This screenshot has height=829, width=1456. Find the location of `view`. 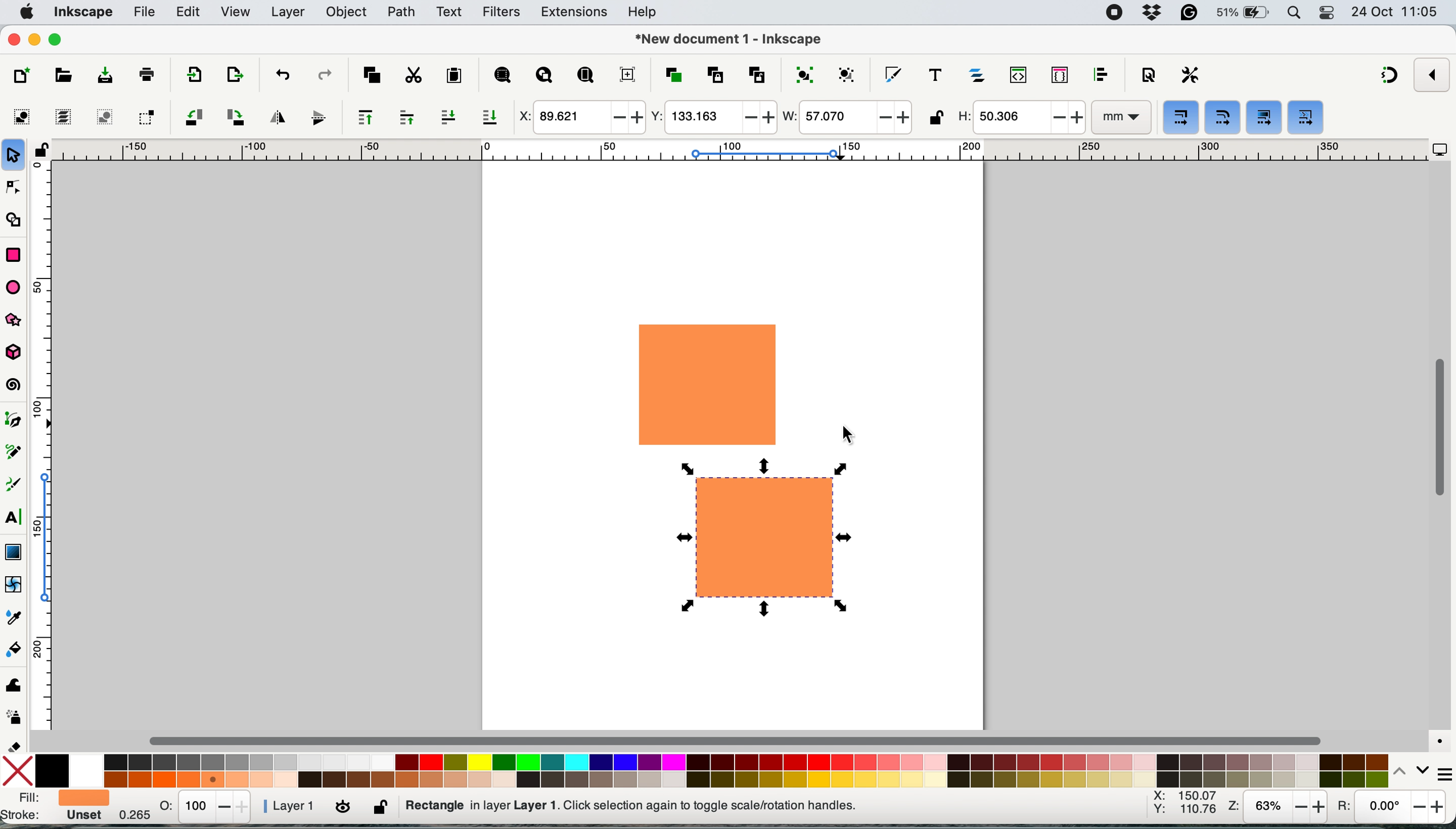

view is located at coordinates (237, 13).